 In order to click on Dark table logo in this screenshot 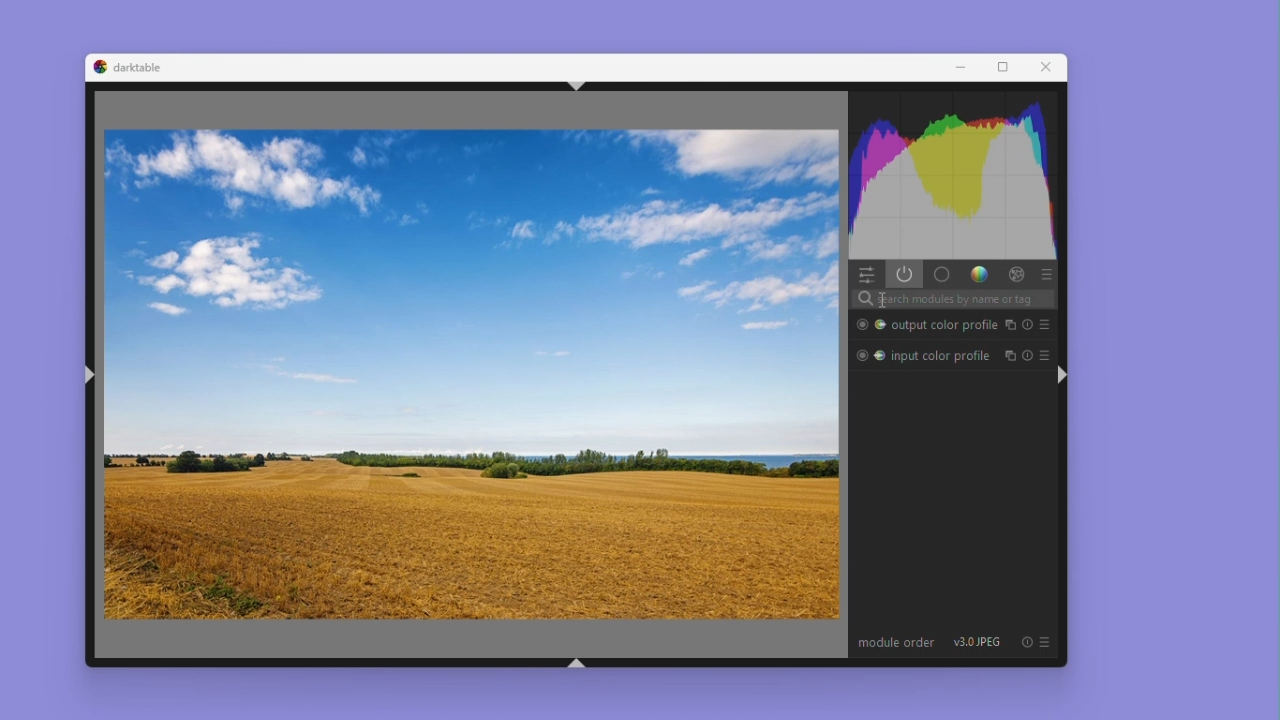, I will do `click(97, 67)`.